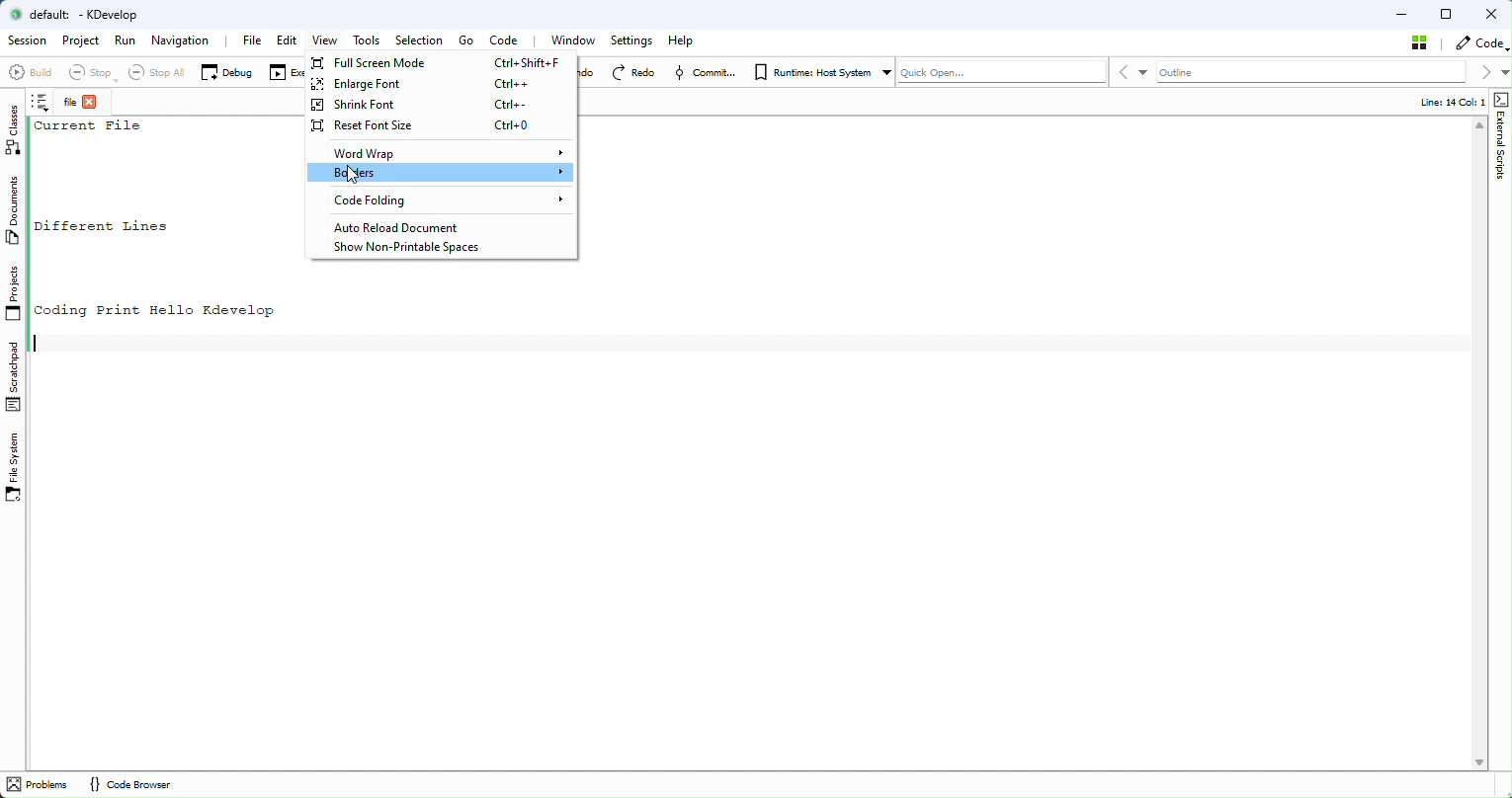  What do you see at coordinates (39, 785) in the screenshot?
I see `Problems` at bounding box center [39, 785].